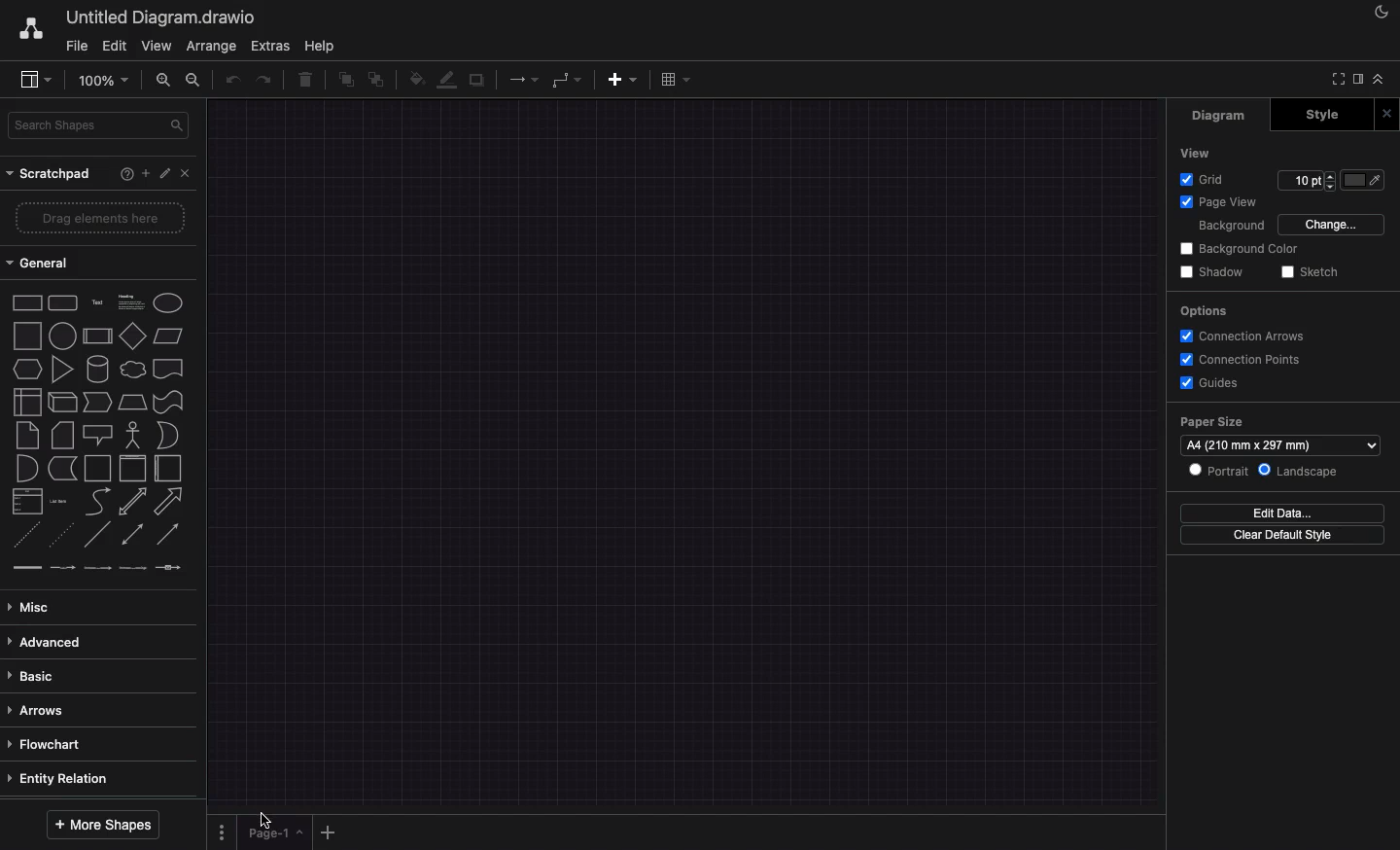  I want to click on add, so click(145, 174).